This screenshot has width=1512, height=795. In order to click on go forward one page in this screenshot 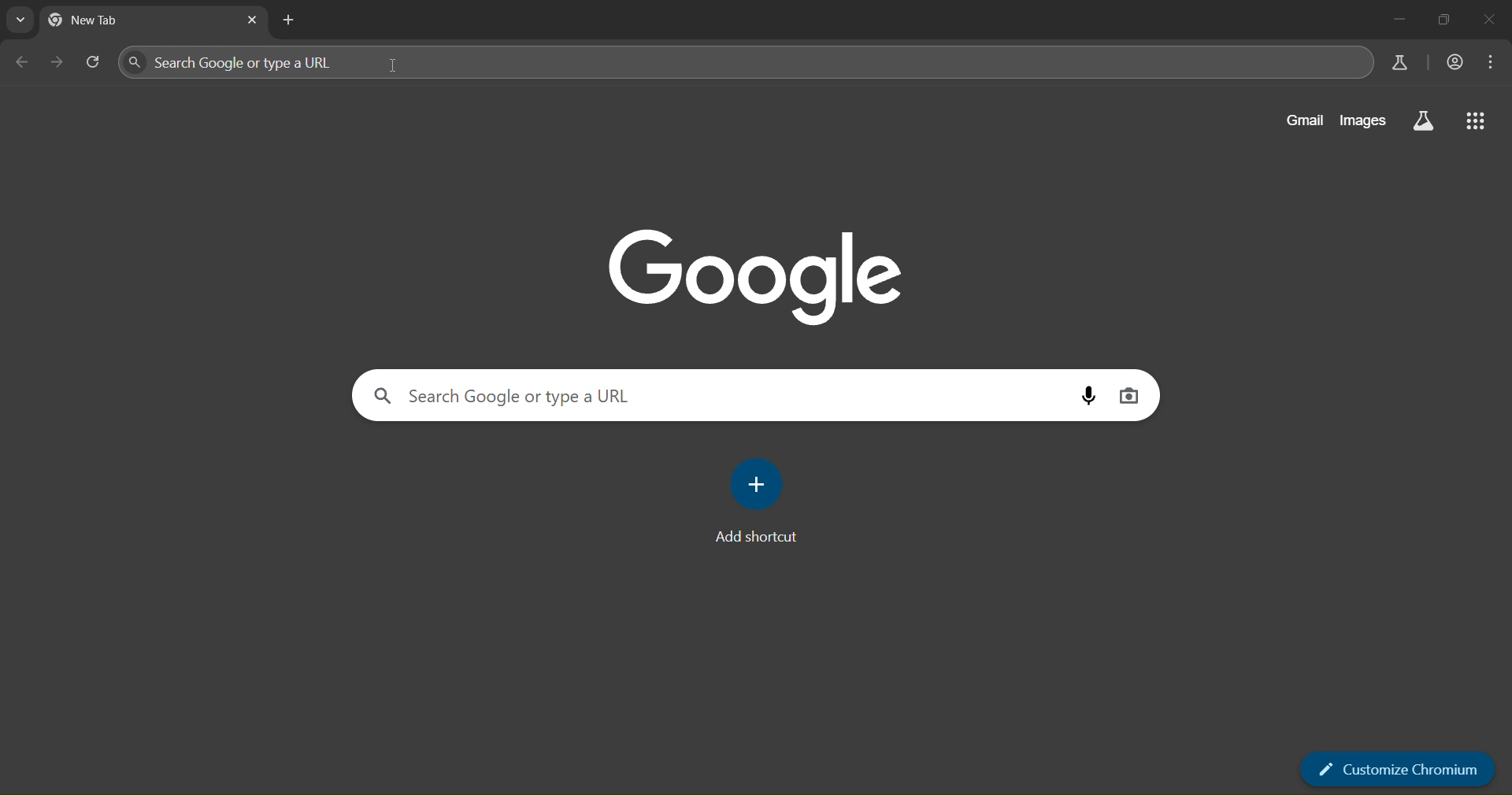, I will do `click(59, 65)`.